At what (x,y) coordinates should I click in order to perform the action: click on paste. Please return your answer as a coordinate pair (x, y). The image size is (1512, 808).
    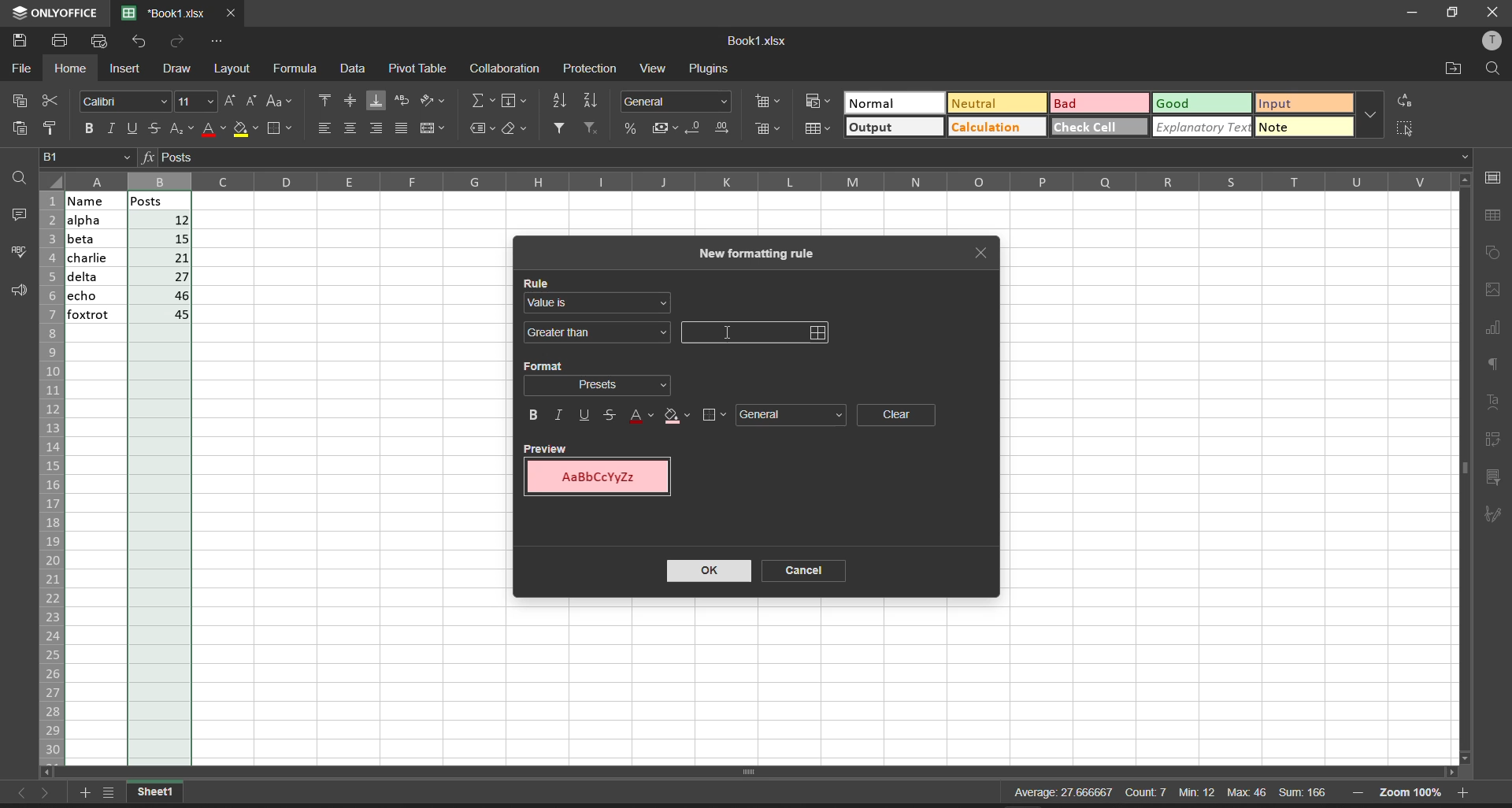
    Looking at the image, I should click on (20, 129).